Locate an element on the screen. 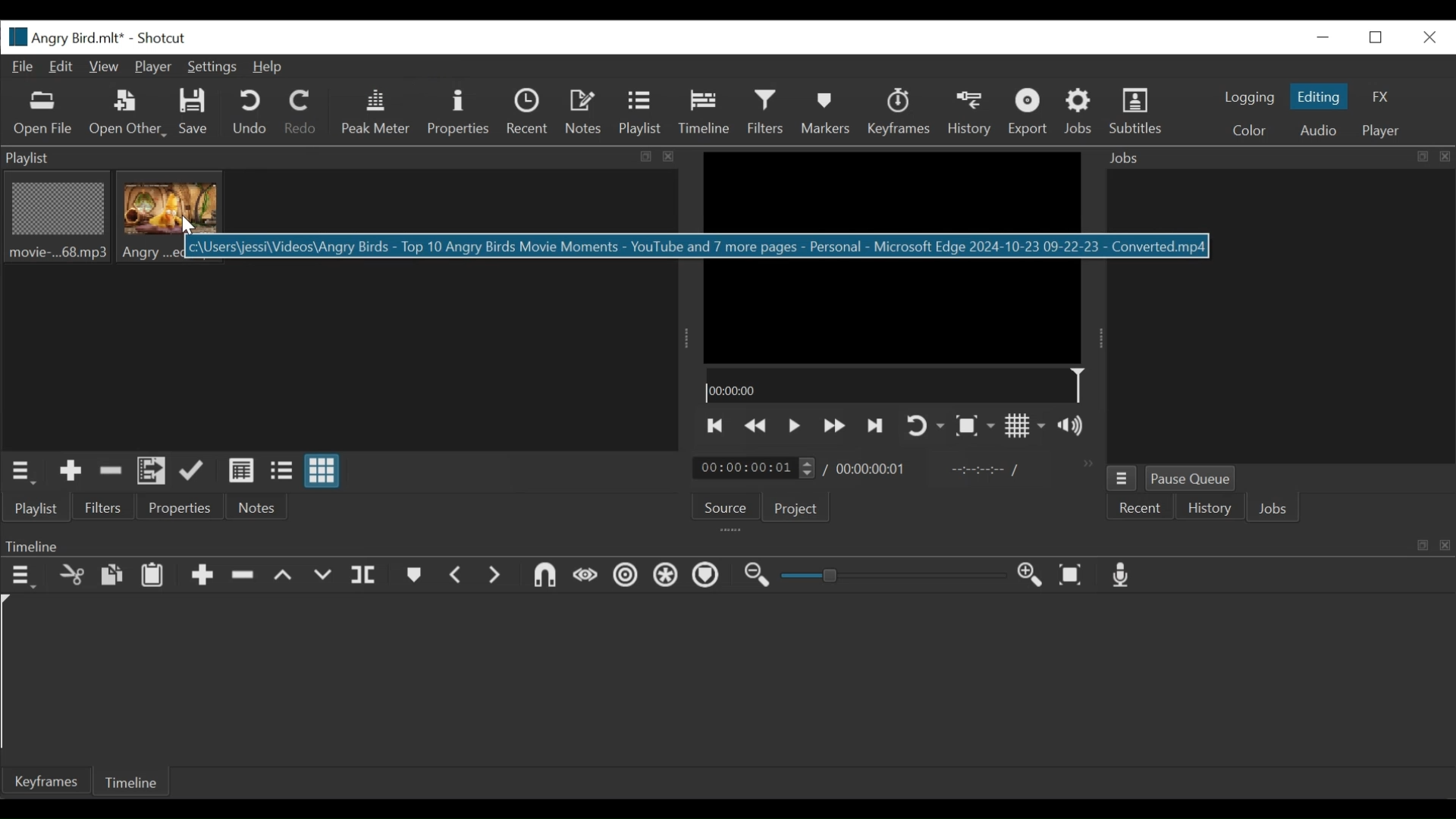 Image resolution: width=1456 pixels, height=819 pixels. Remove cut is located at coordinates (111, 472).